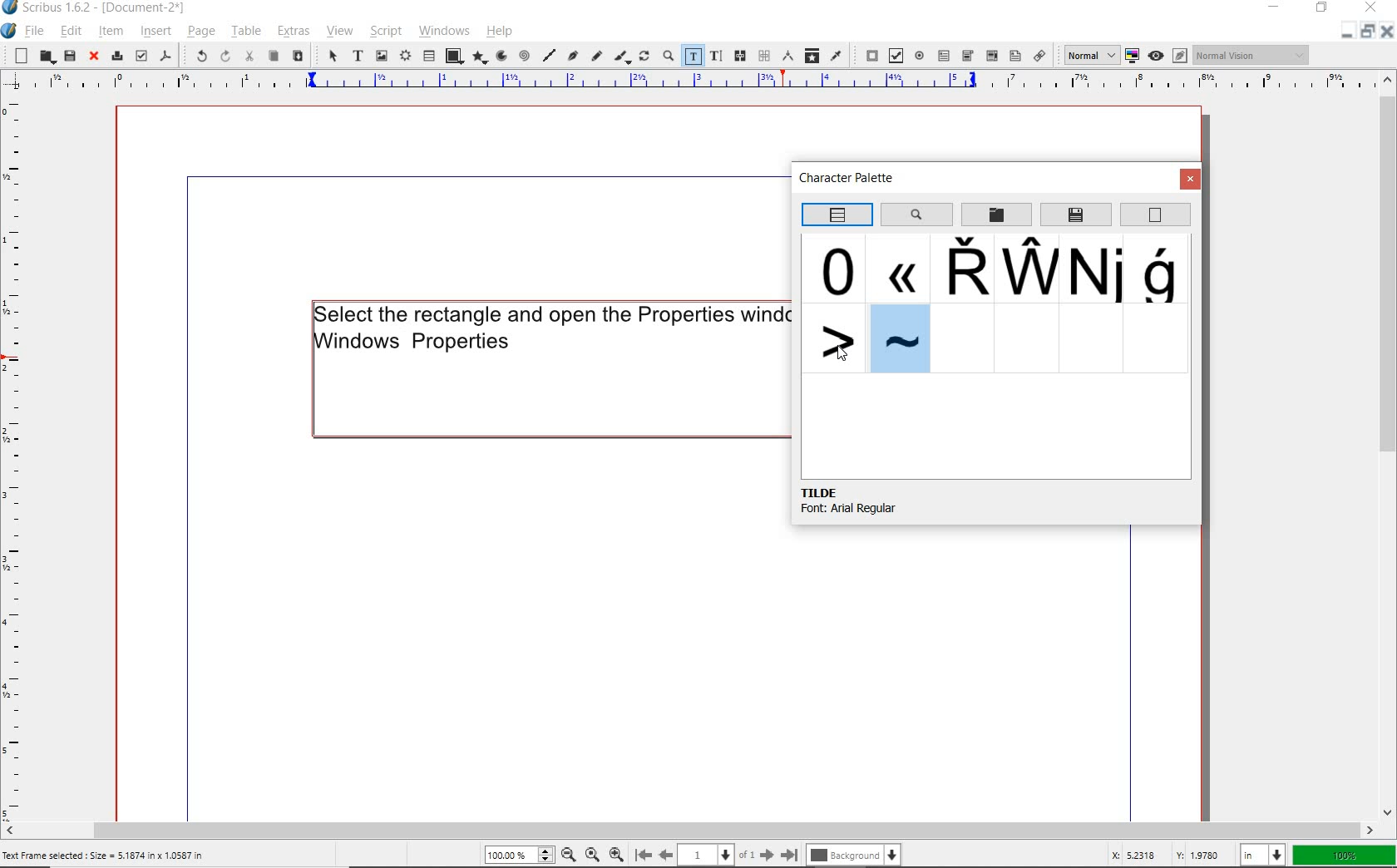  I want to click on go to last [page, so click(789, 854).